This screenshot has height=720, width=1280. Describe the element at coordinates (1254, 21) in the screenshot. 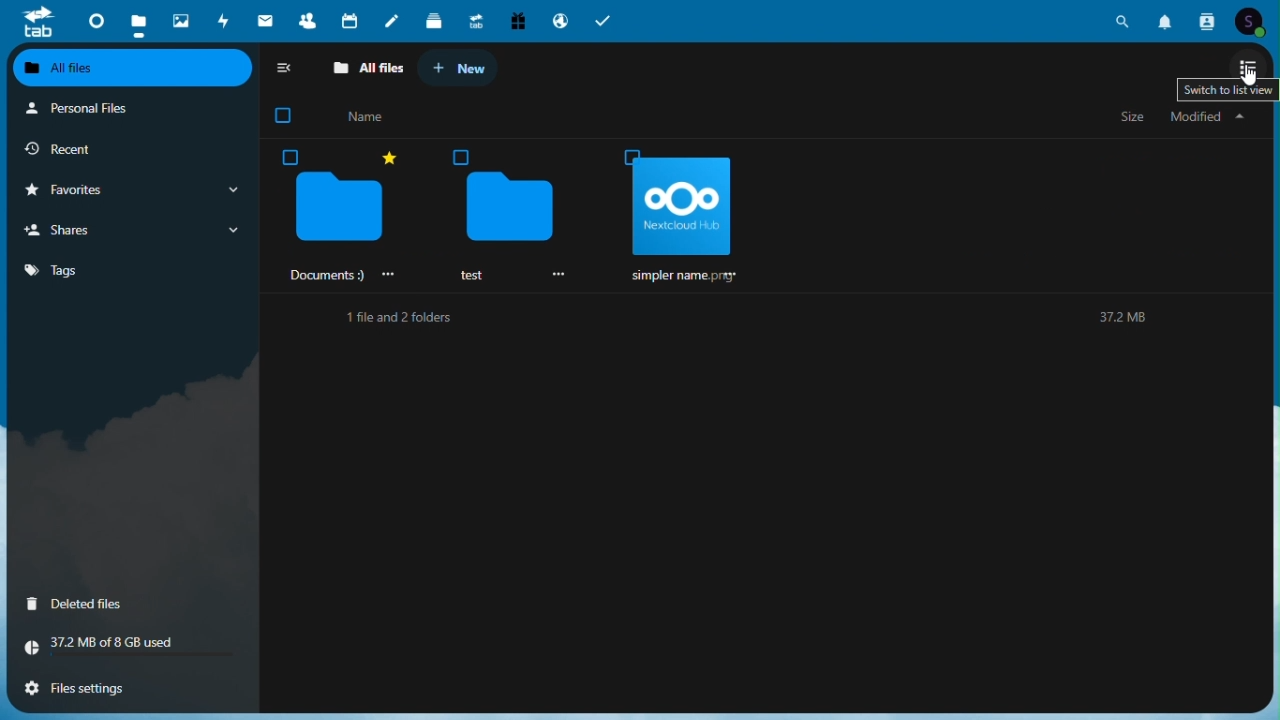

I see `account icon` at that location.